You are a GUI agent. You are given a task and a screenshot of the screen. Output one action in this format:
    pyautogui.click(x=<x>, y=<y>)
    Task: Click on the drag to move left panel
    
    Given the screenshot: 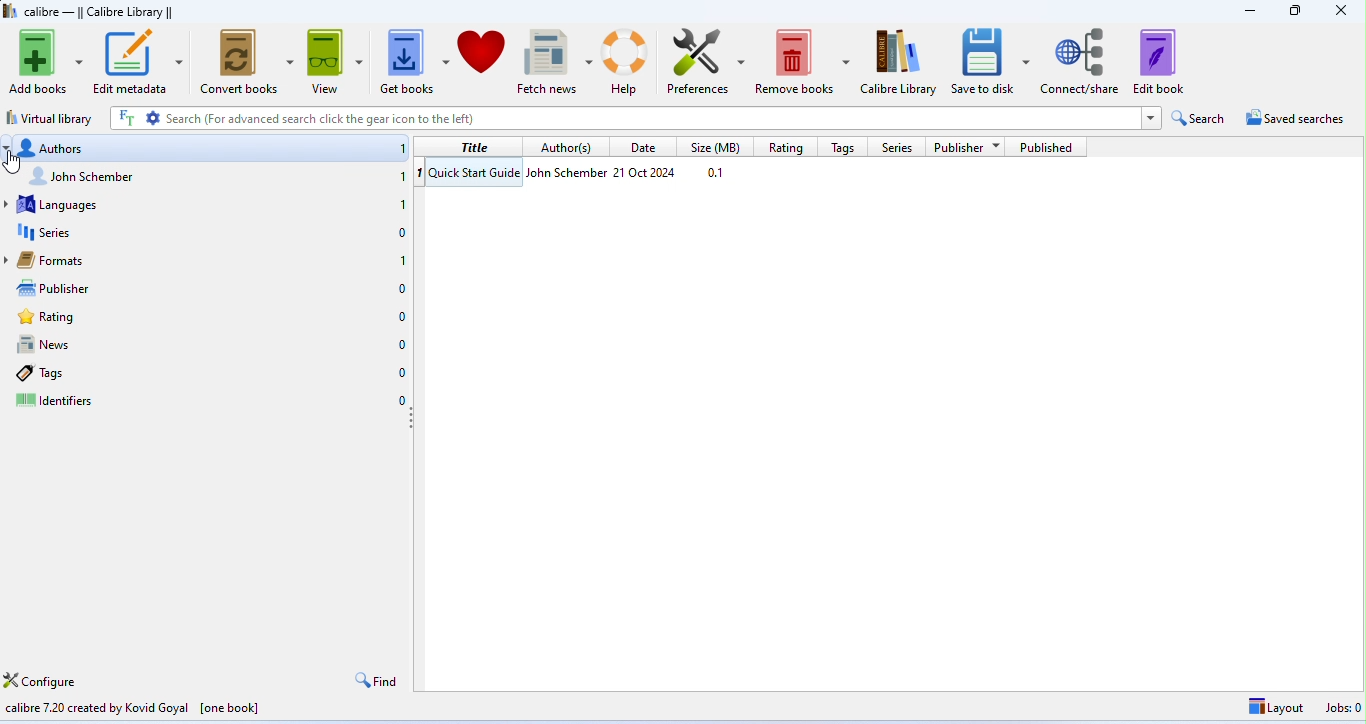 What is the action you would take?
    pyautogui.click(x=414, y=426)
    